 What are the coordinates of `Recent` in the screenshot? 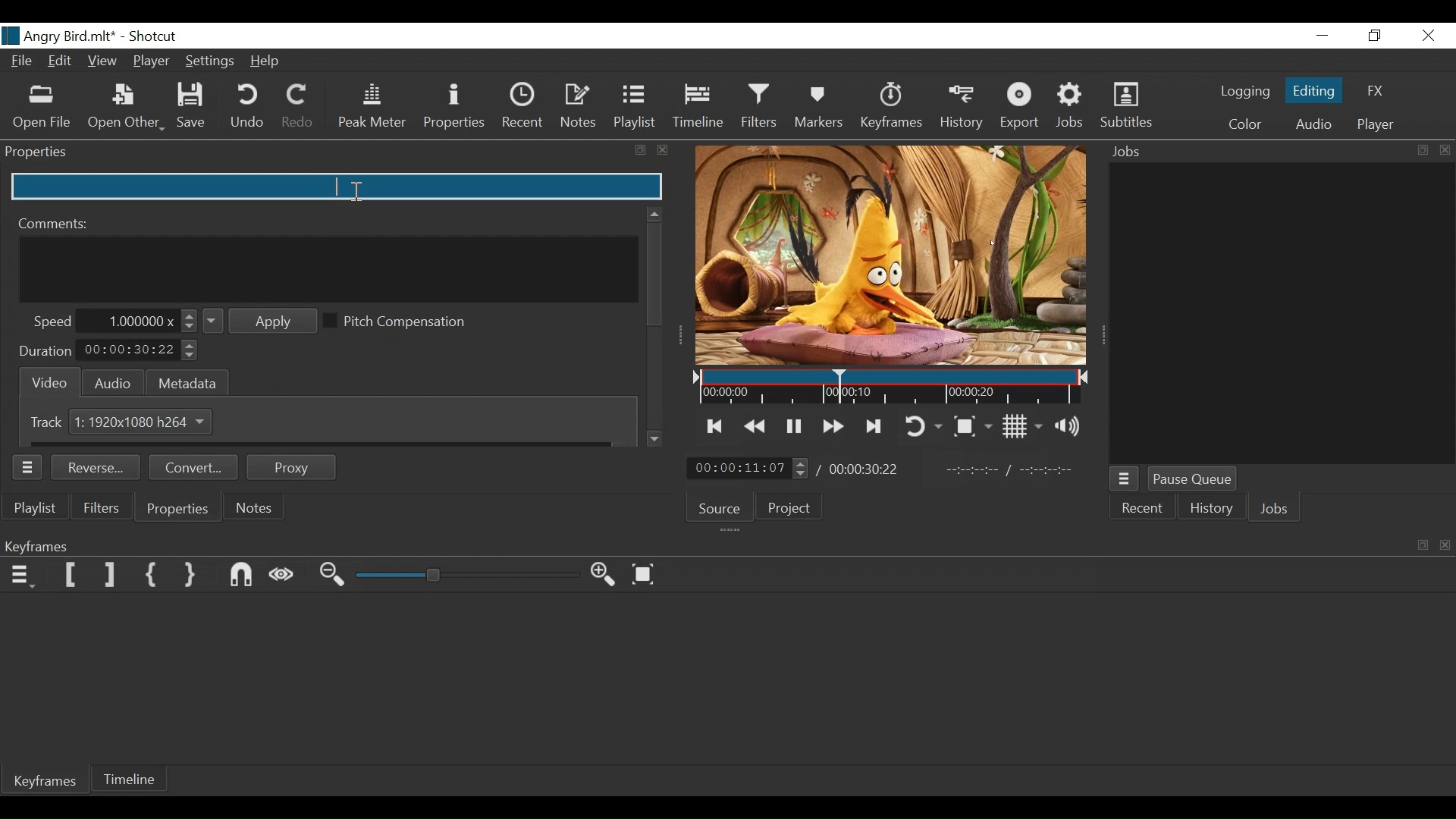 It's located at (524, 106).